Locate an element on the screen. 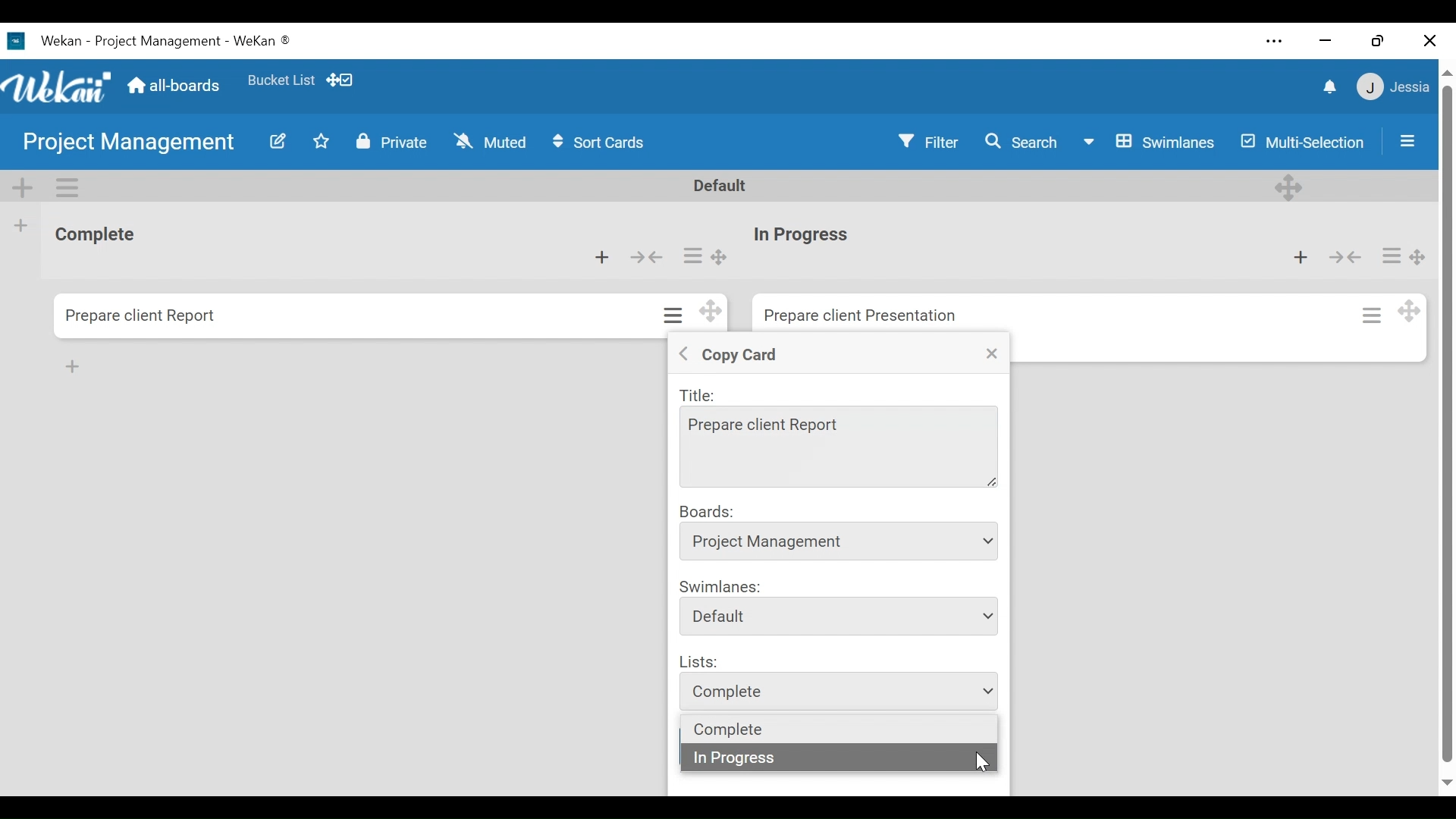  Copy Crad is located at coordinates (748, 353).